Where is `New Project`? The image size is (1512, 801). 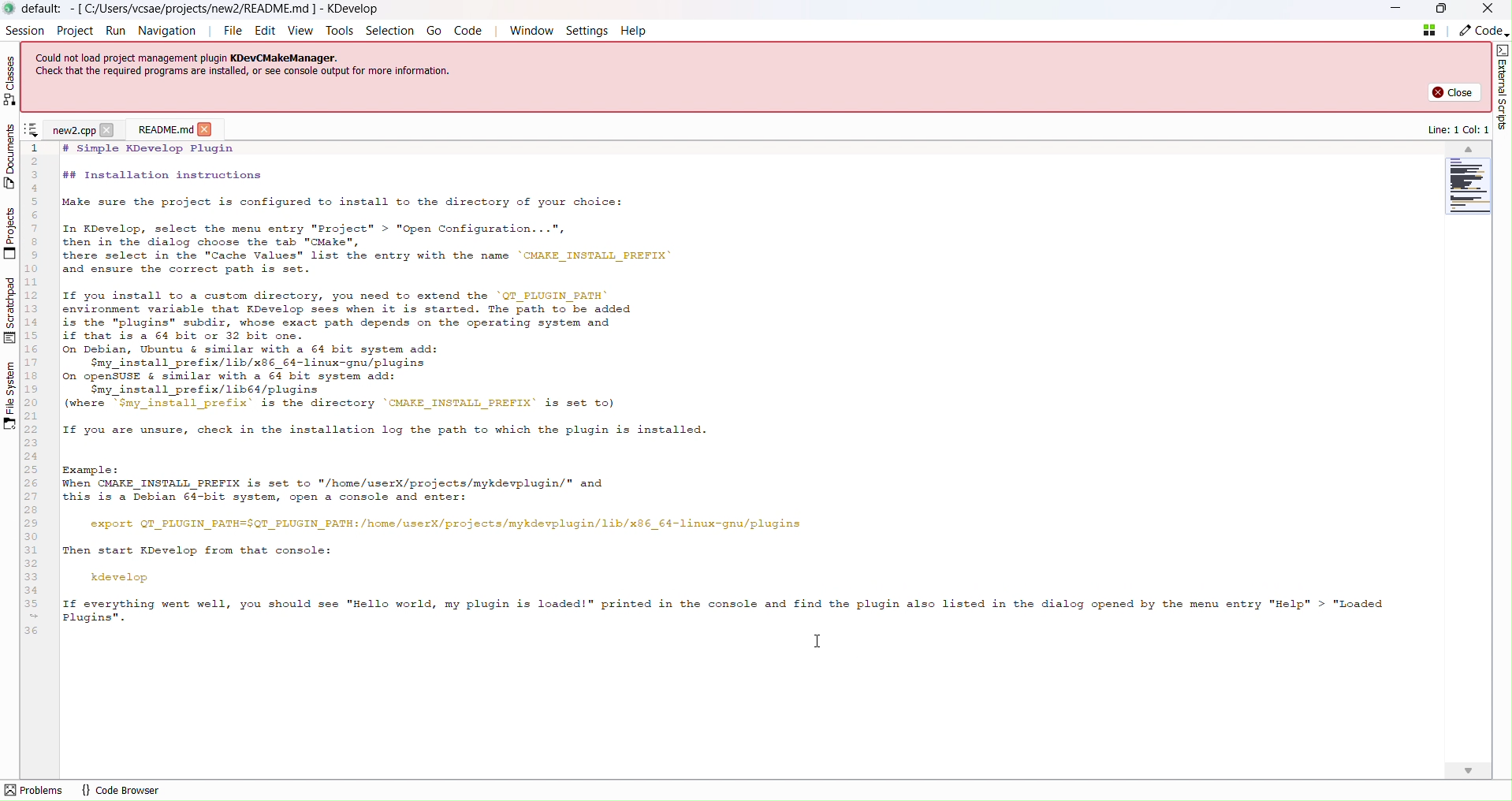
New Project is located at coordinates (72, 131).